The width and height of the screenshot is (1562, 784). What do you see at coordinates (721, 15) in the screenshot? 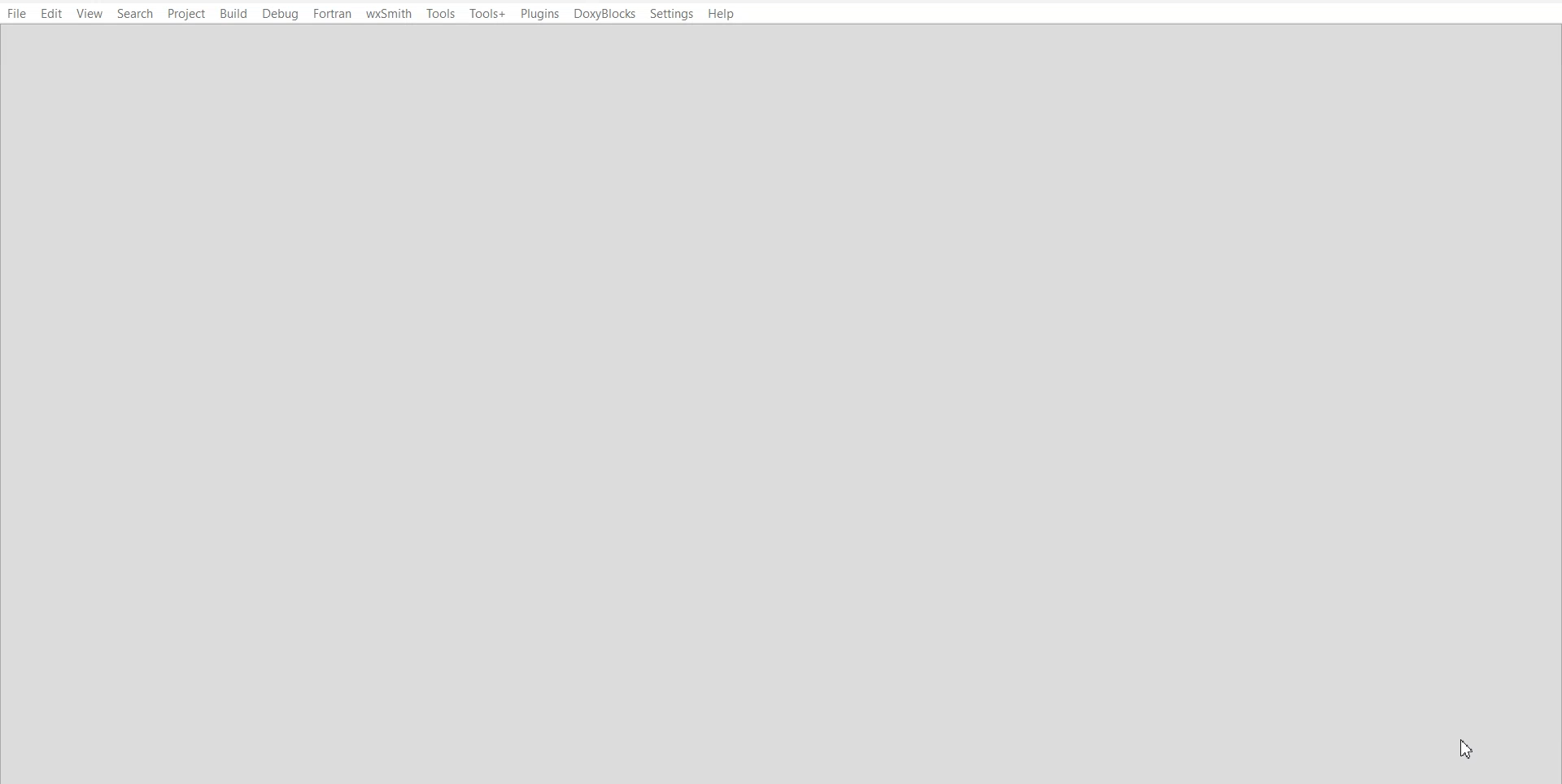
I see `Help` at bounding box center [721, 15].